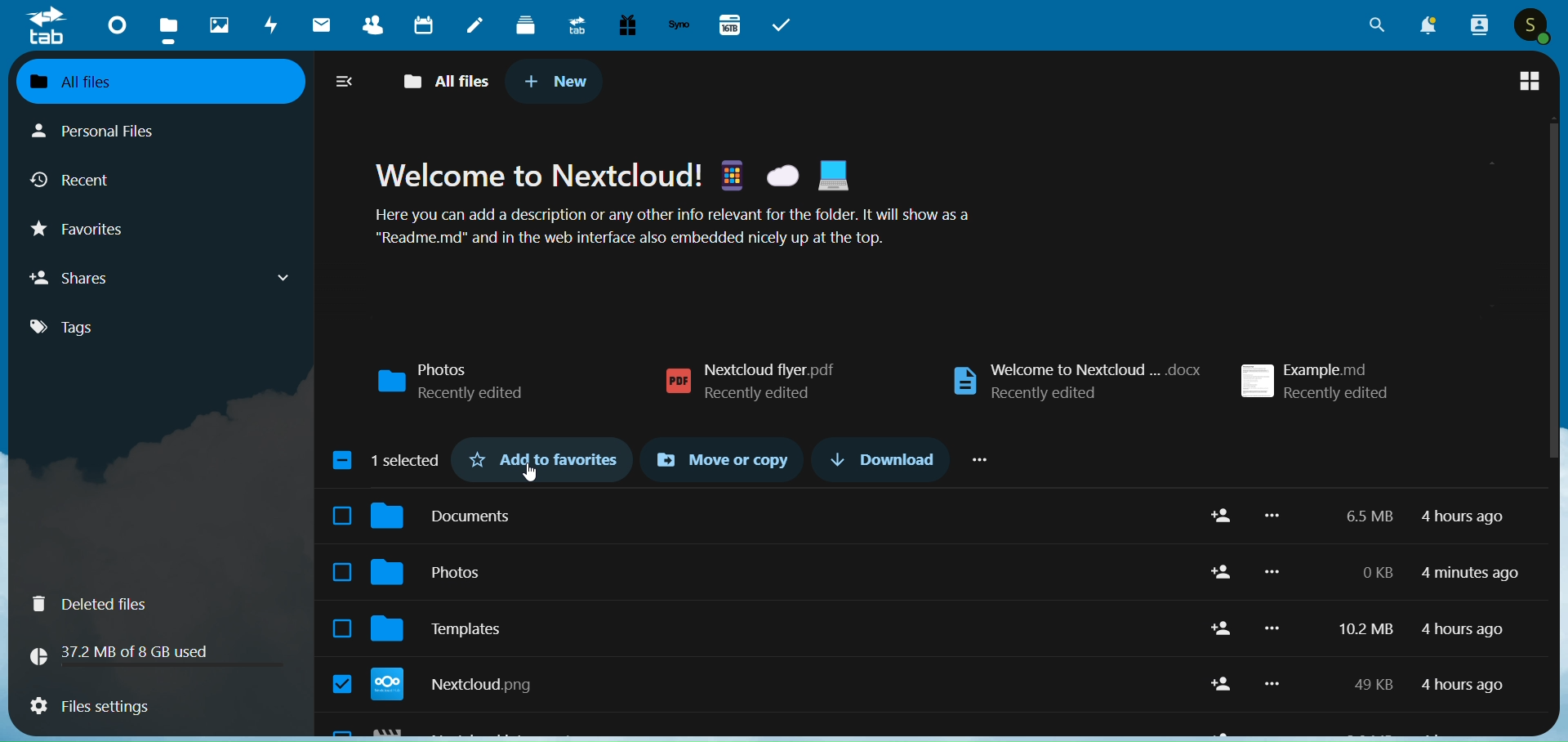  I want to click on Cursor, so click(529, 472).